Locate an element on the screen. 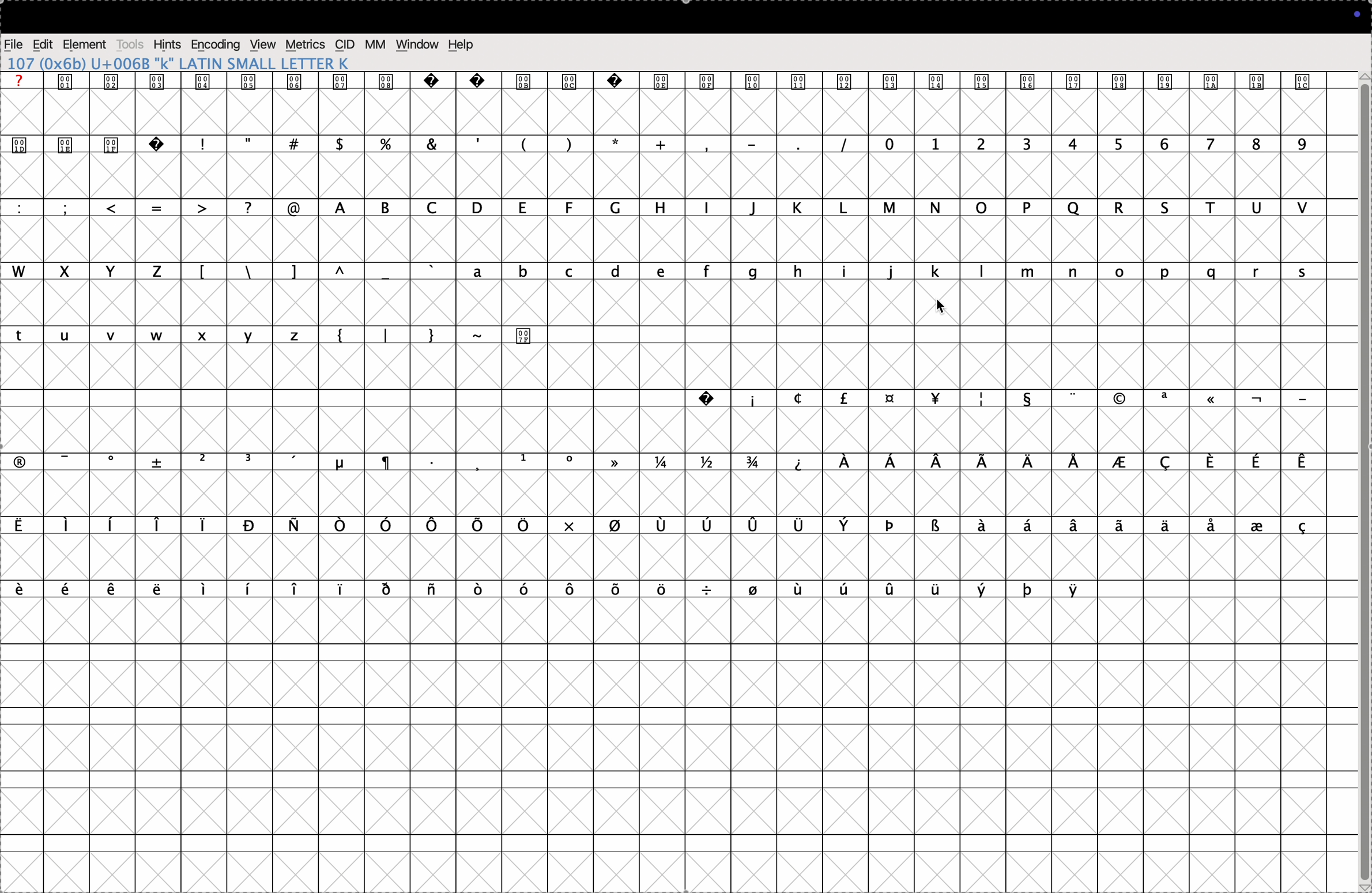 The image size is (1372, 893). c is located at coordinates (570, 272).